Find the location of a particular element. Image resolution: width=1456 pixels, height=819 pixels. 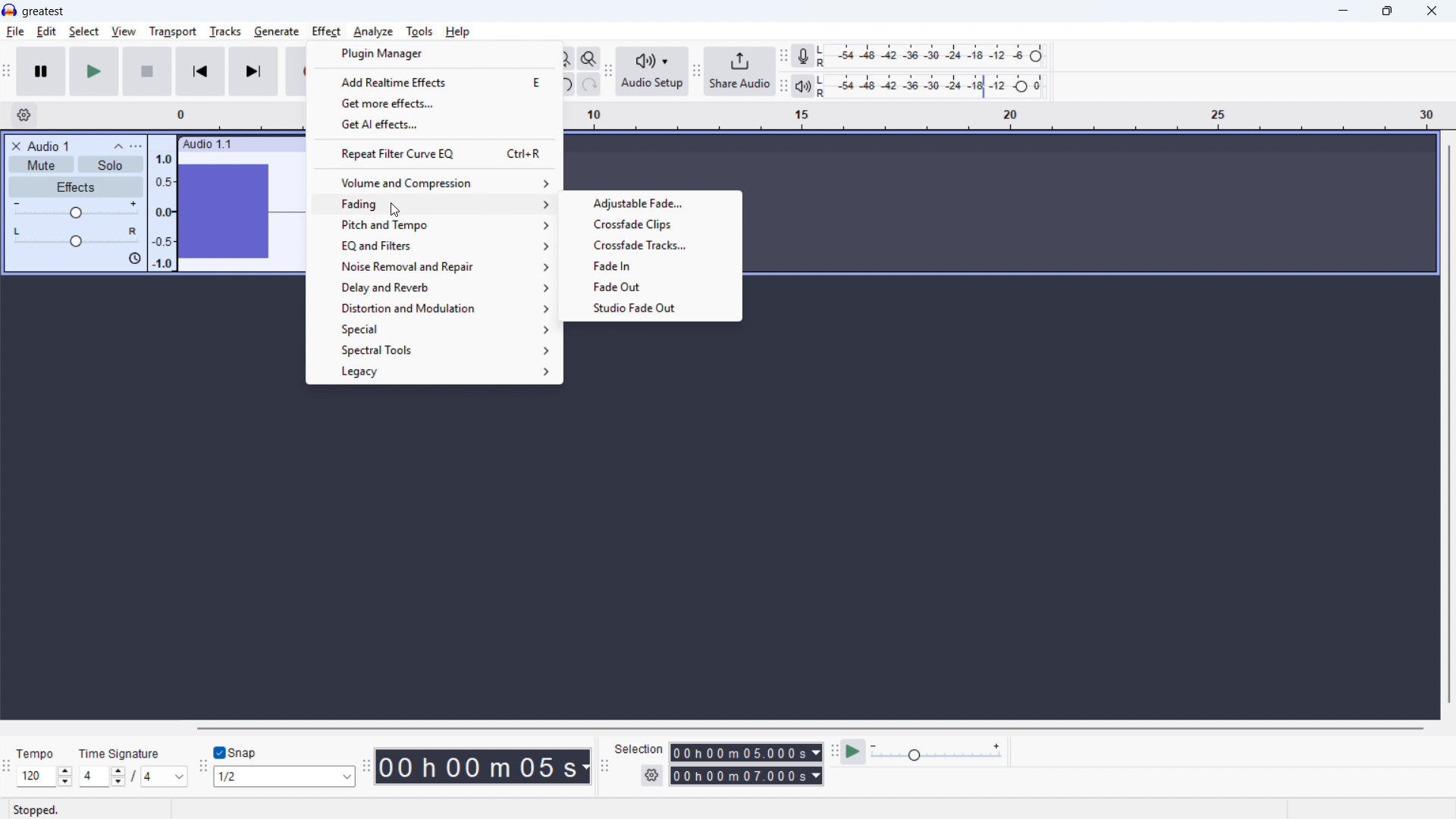

minimise  is located at coordinates (1345, 11).